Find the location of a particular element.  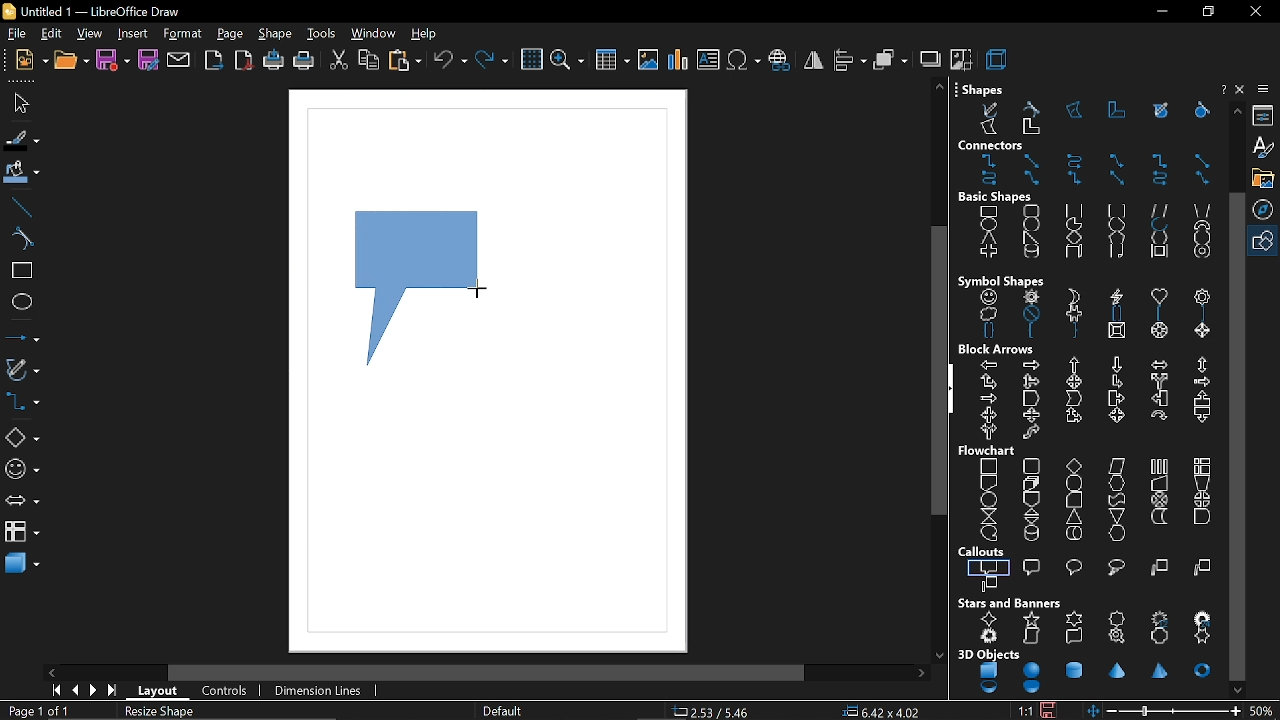

connector with arrows is located at coordinates (1076, 180).